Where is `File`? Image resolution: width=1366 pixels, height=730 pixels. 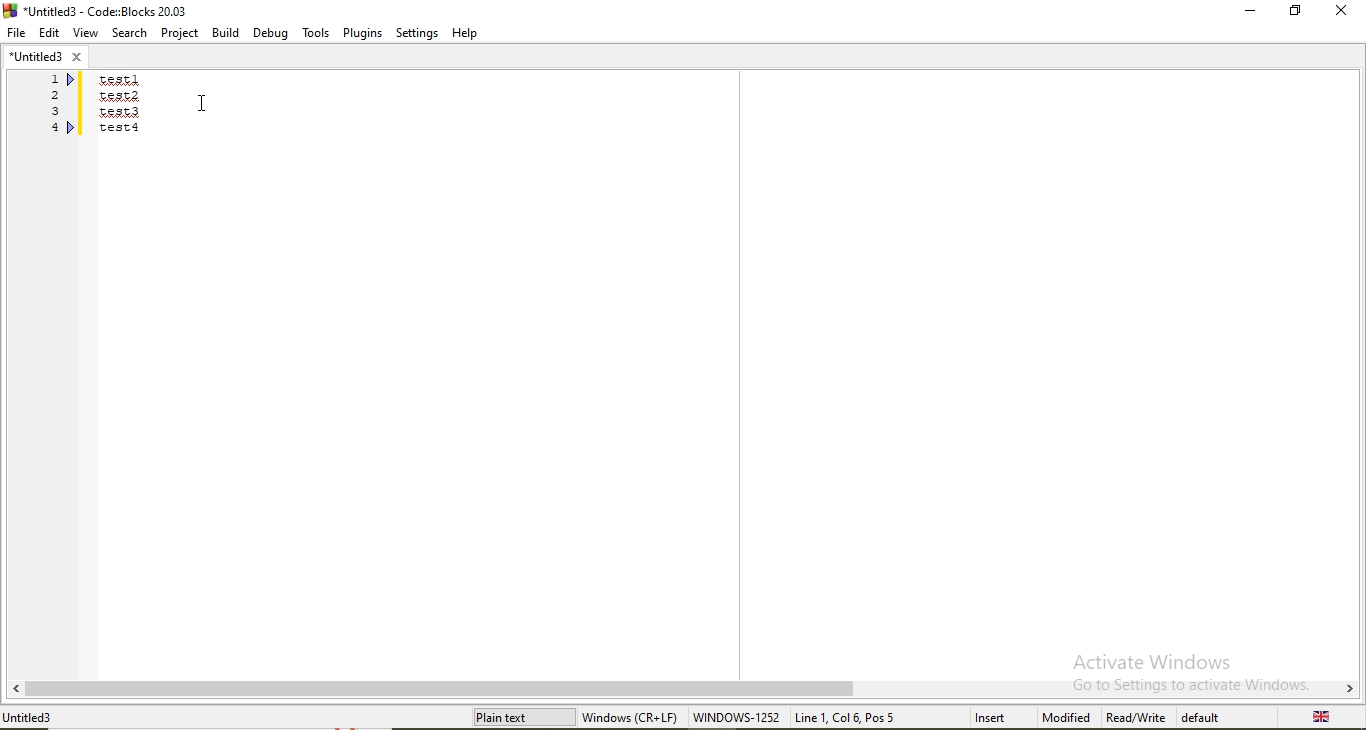 File is located at coordinates (16, 32).